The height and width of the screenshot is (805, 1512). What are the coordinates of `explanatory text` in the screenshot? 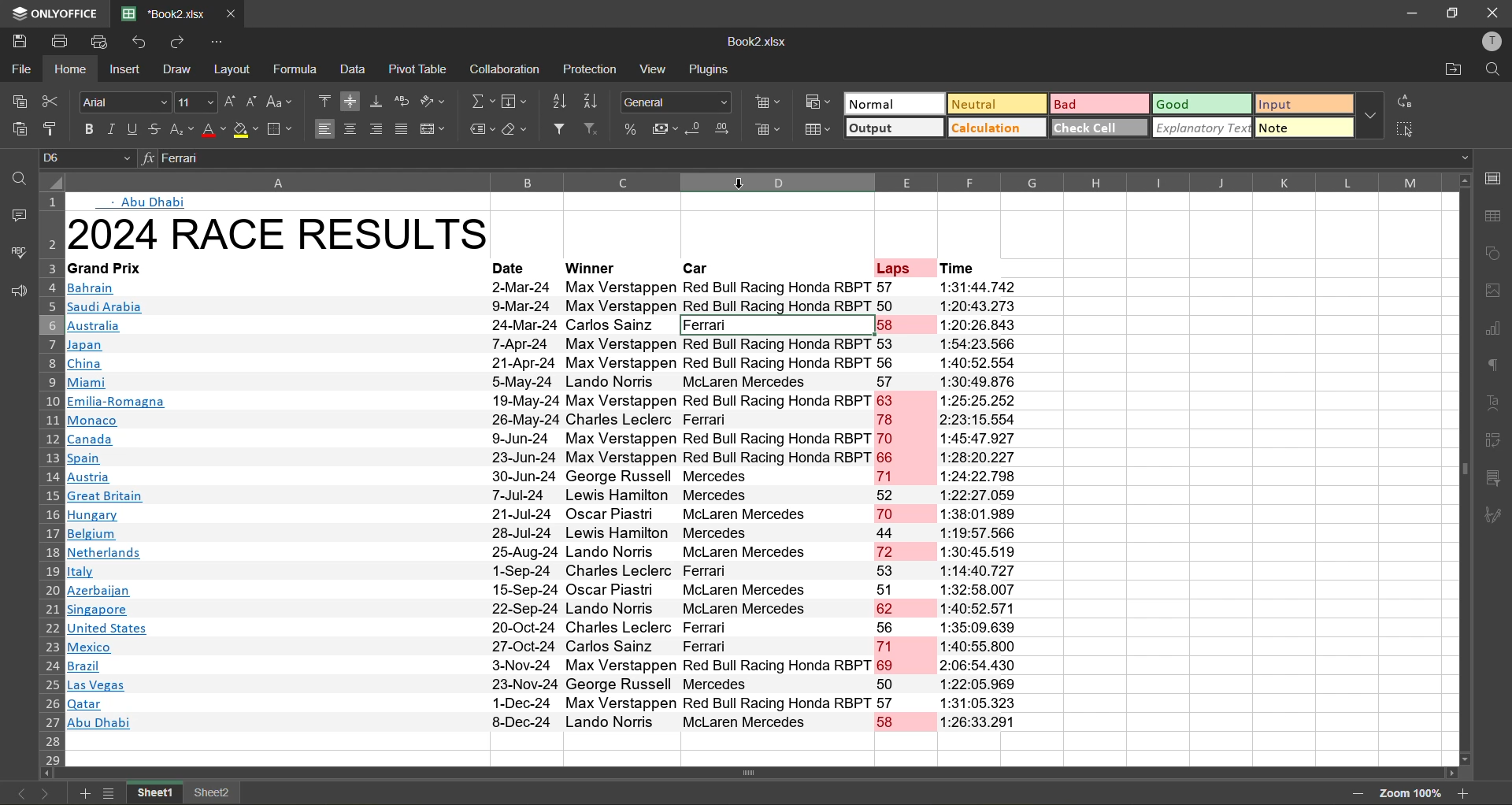 It's located at (1202, 128).